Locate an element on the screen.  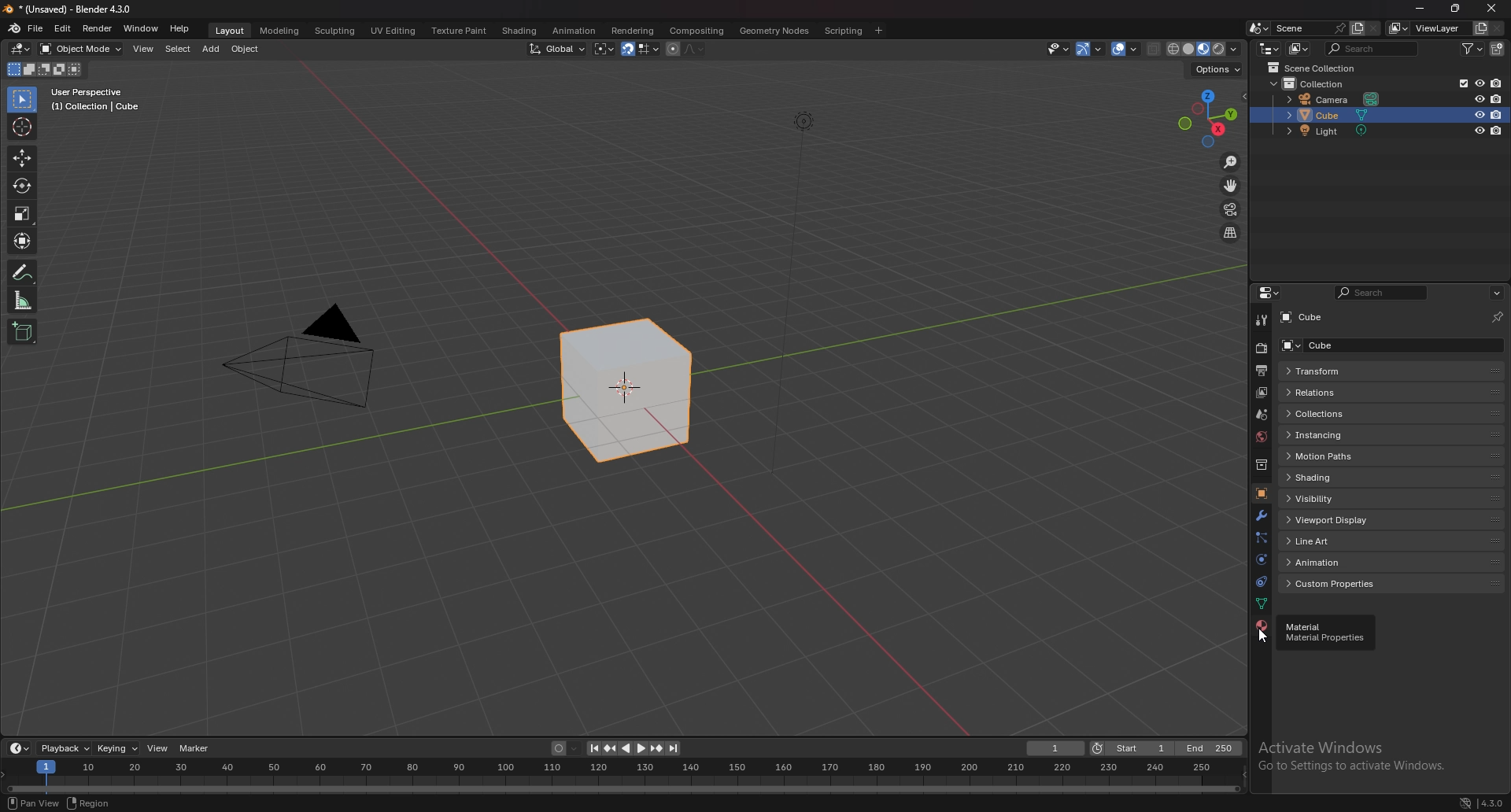
selectibility and visibility is located at coordinates (1059, 49).